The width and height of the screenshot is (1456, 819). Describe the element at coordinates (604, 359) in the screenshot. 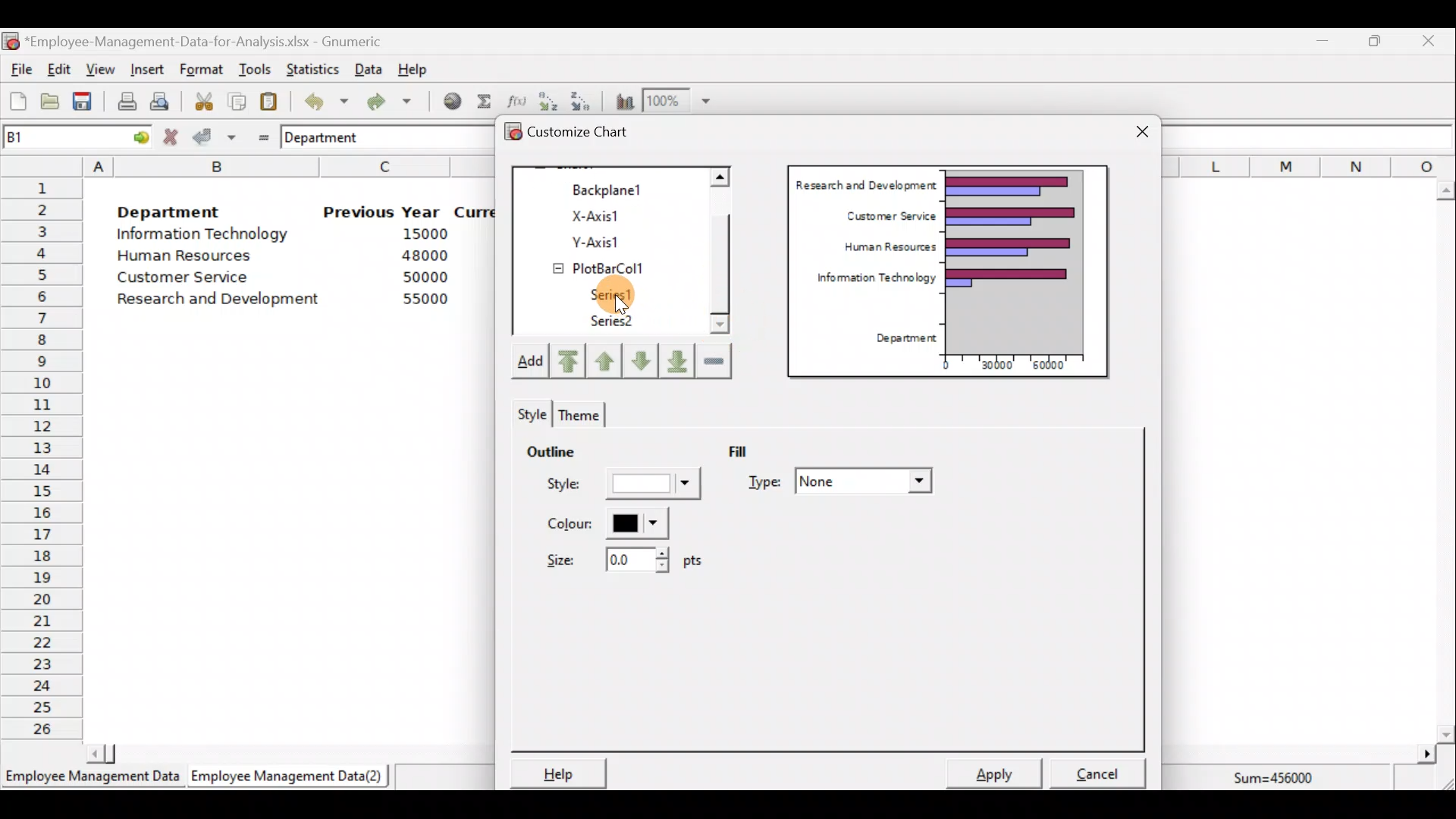

I see `Move up` at that location.